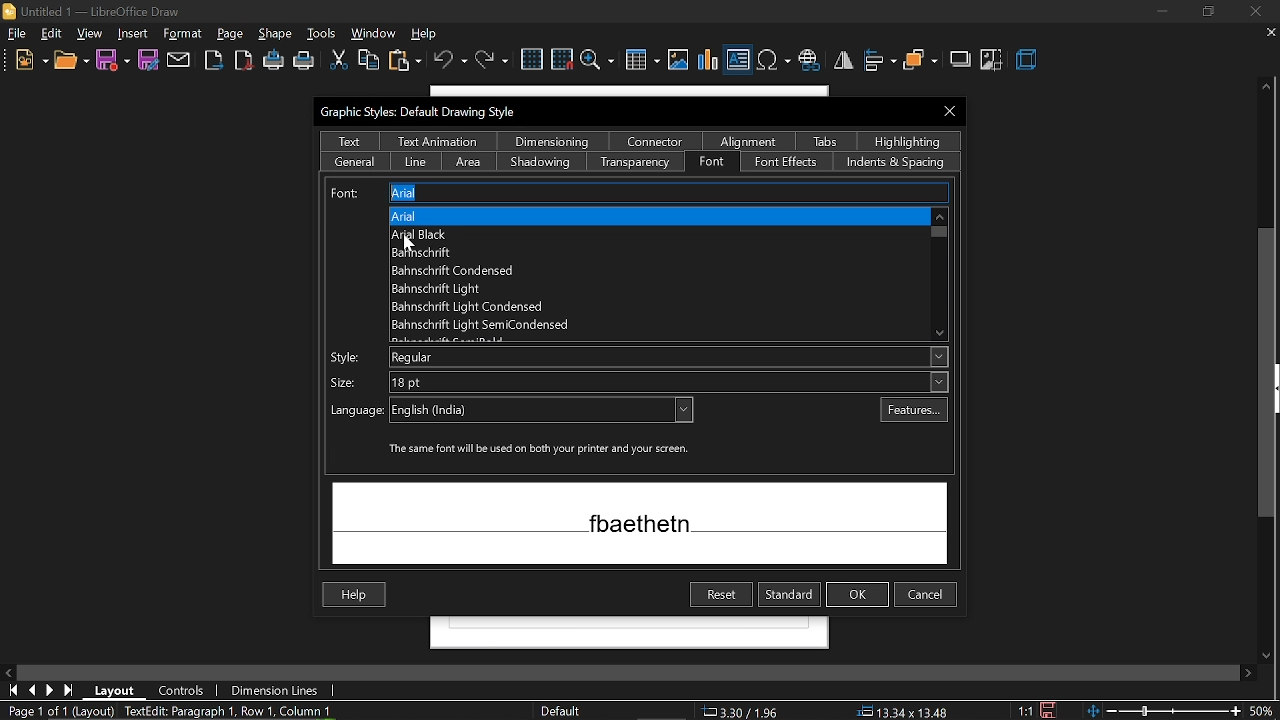 This screenshot has width=1280, height=720. What do you see at coordinates (32, 691) in the screenshot?
I see `go to previous page` at bounding box center [32, 691].